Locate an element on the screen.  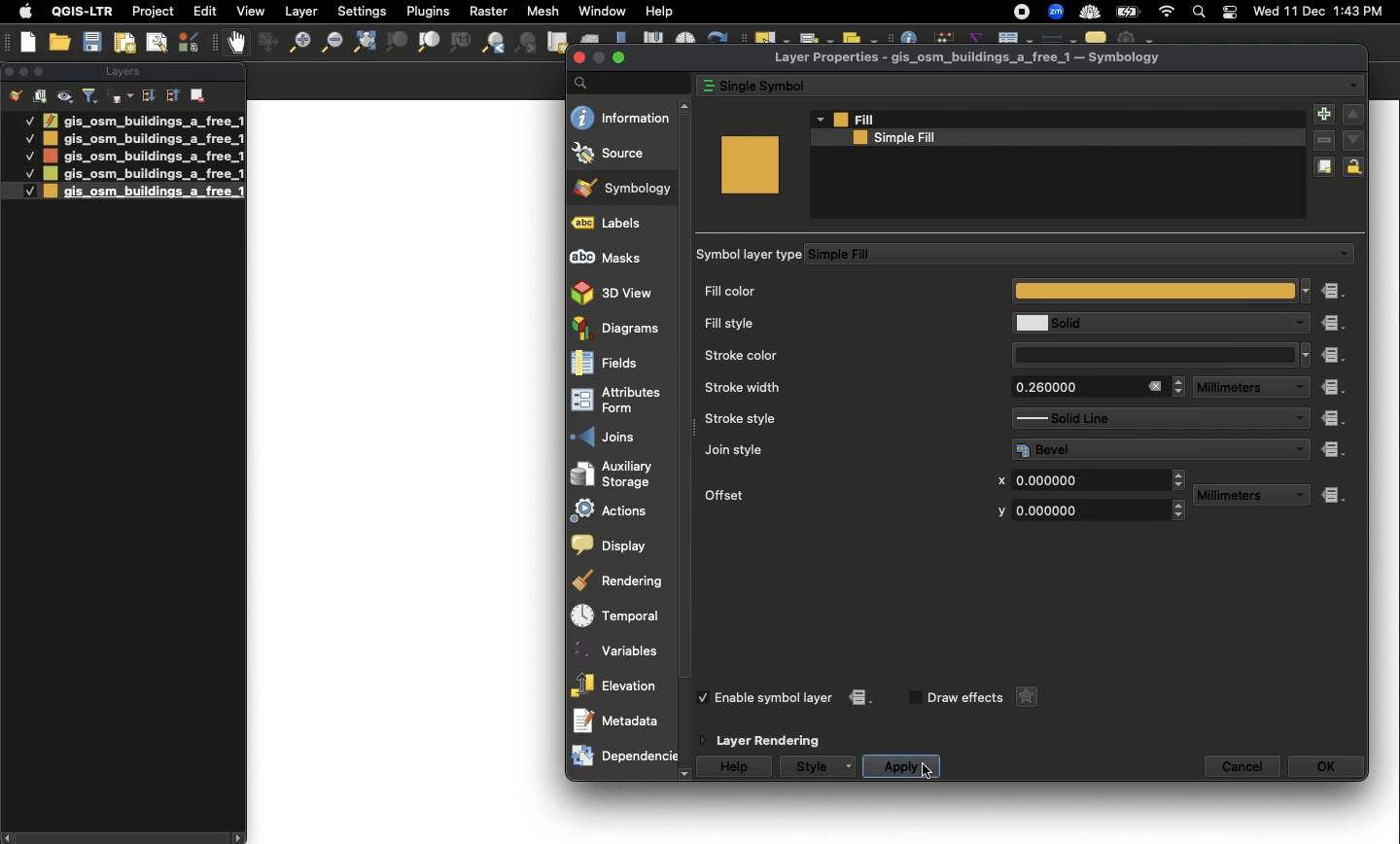
gis_osm_buildings_a_free_1 is located at coordinates (144, 192).